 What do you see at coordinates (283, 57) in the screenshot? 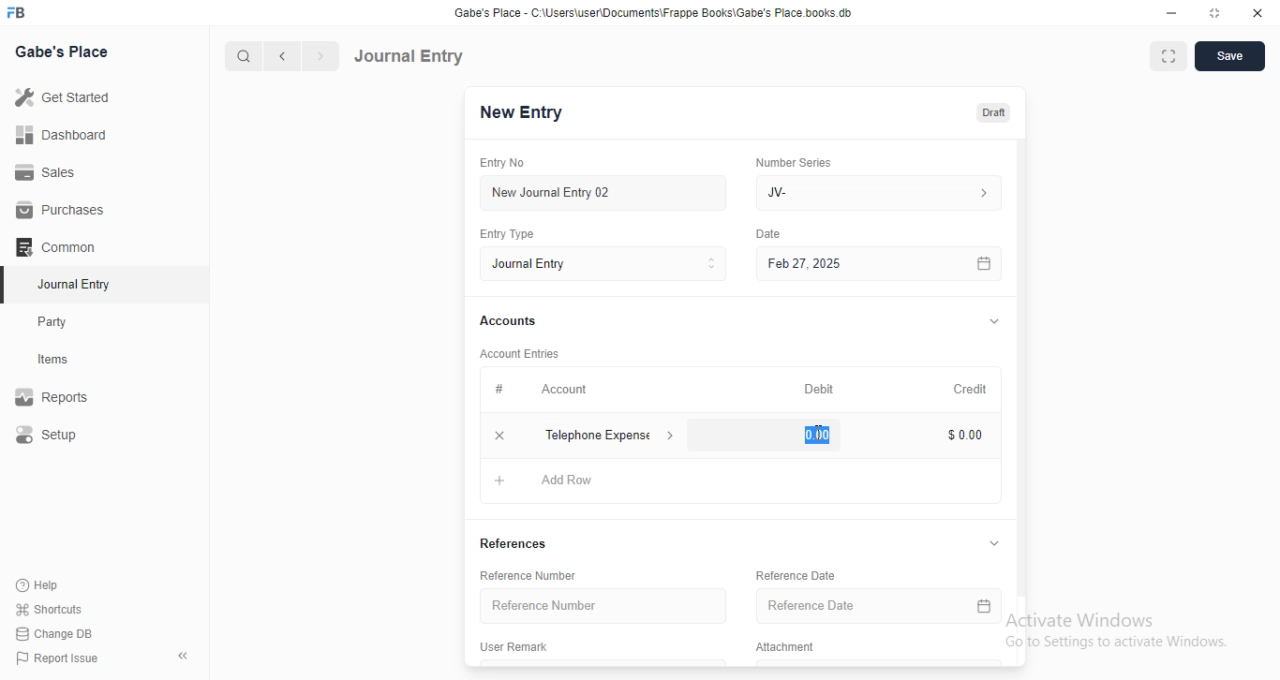
I see `Previous` at bounding box center [283, 57].